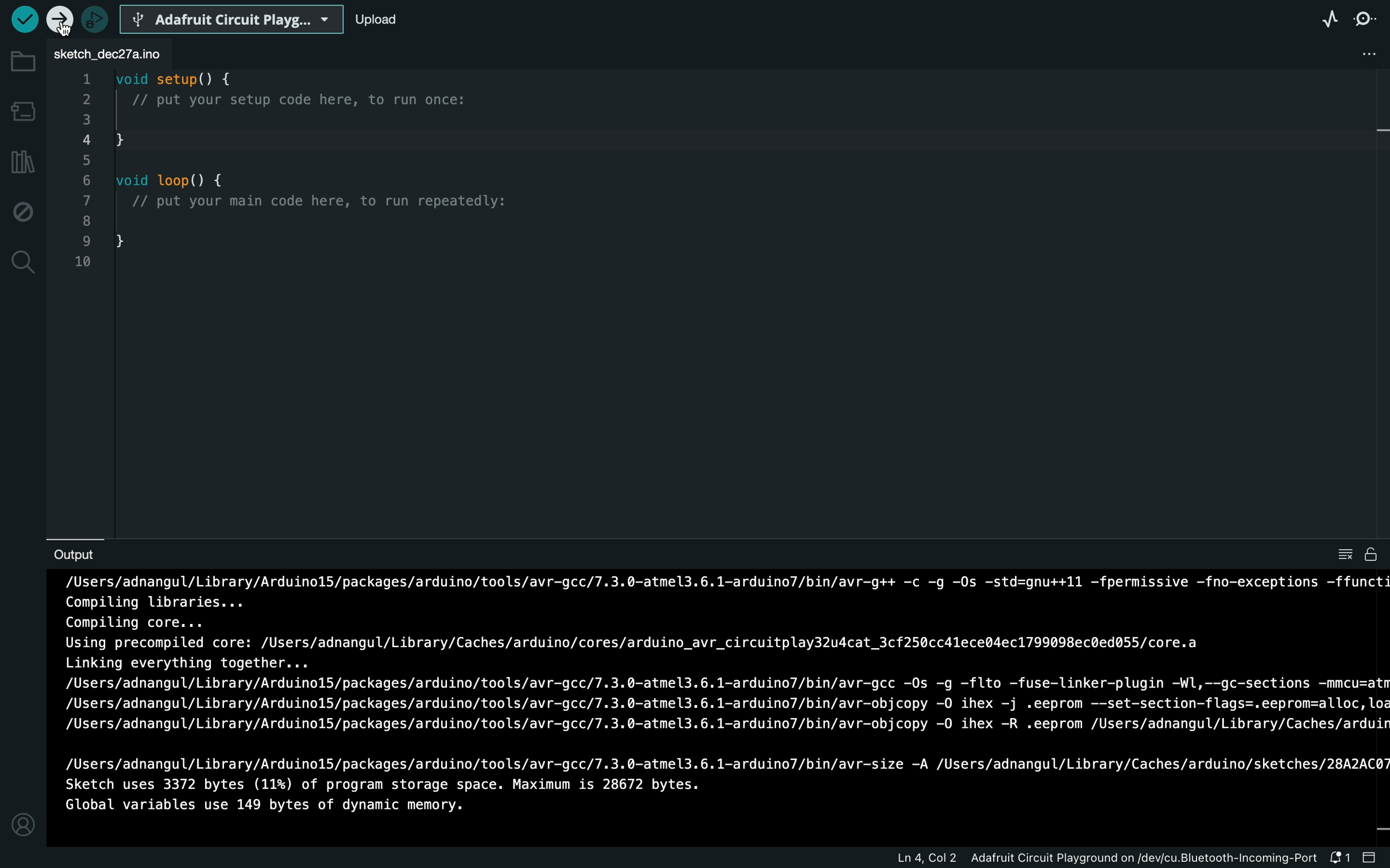  What do you see at coordinates (22, 262) in the screenshot?
I see `search` at bounding box center [22, 262].